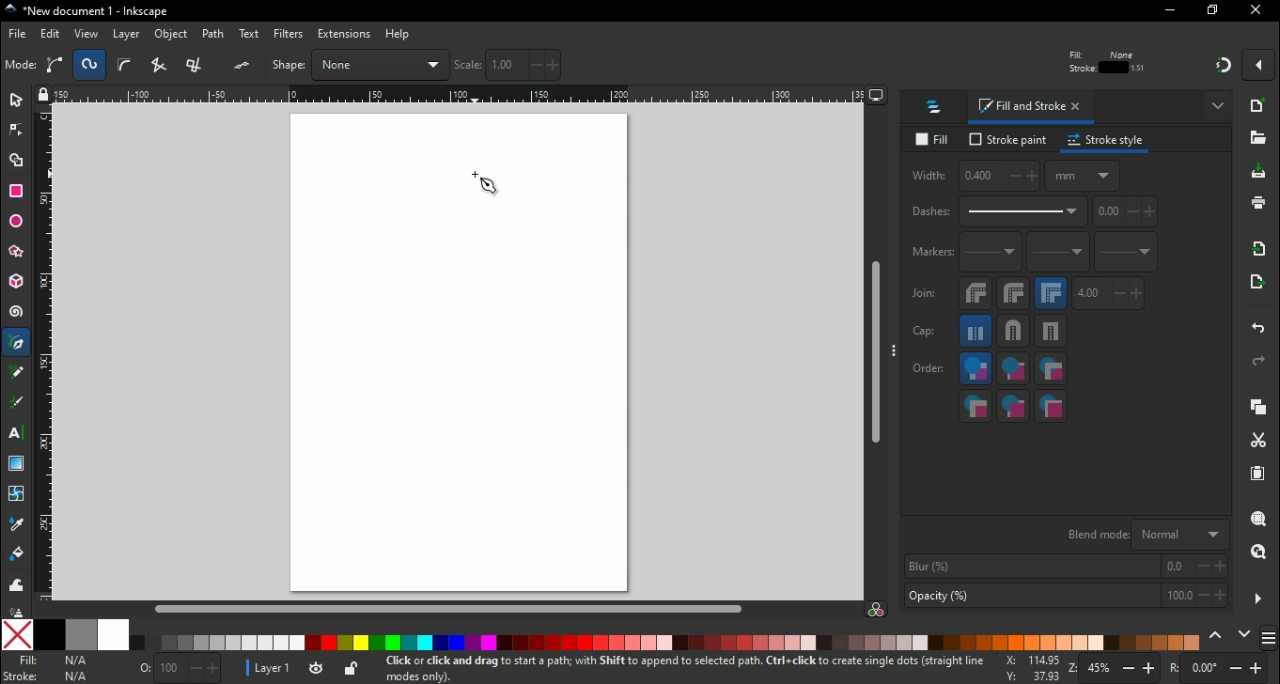  I want to click on minimize, so click(1169, 11).